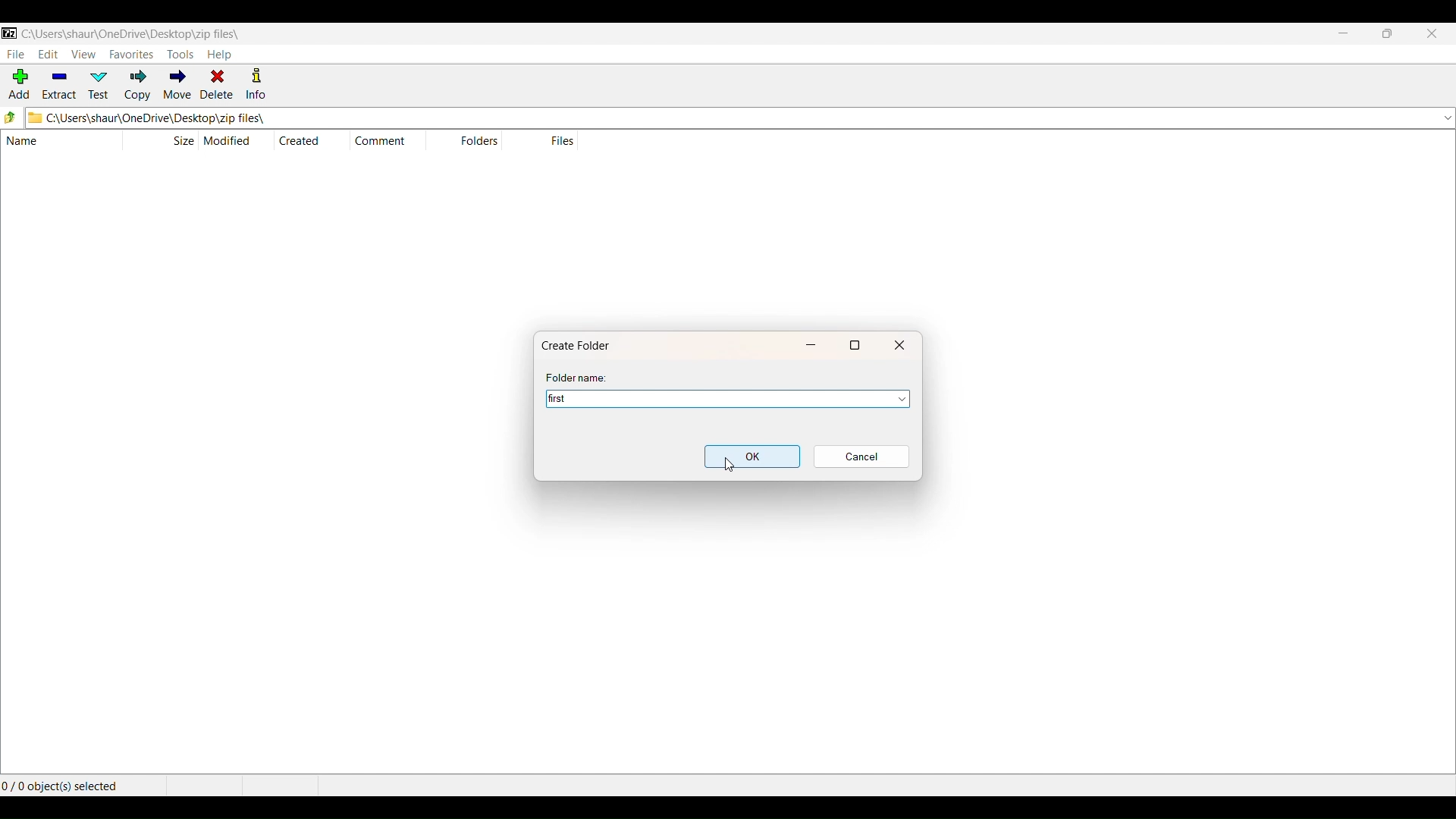 The image size is (1456, 819). I want to click on NAME, so click(52, 142).